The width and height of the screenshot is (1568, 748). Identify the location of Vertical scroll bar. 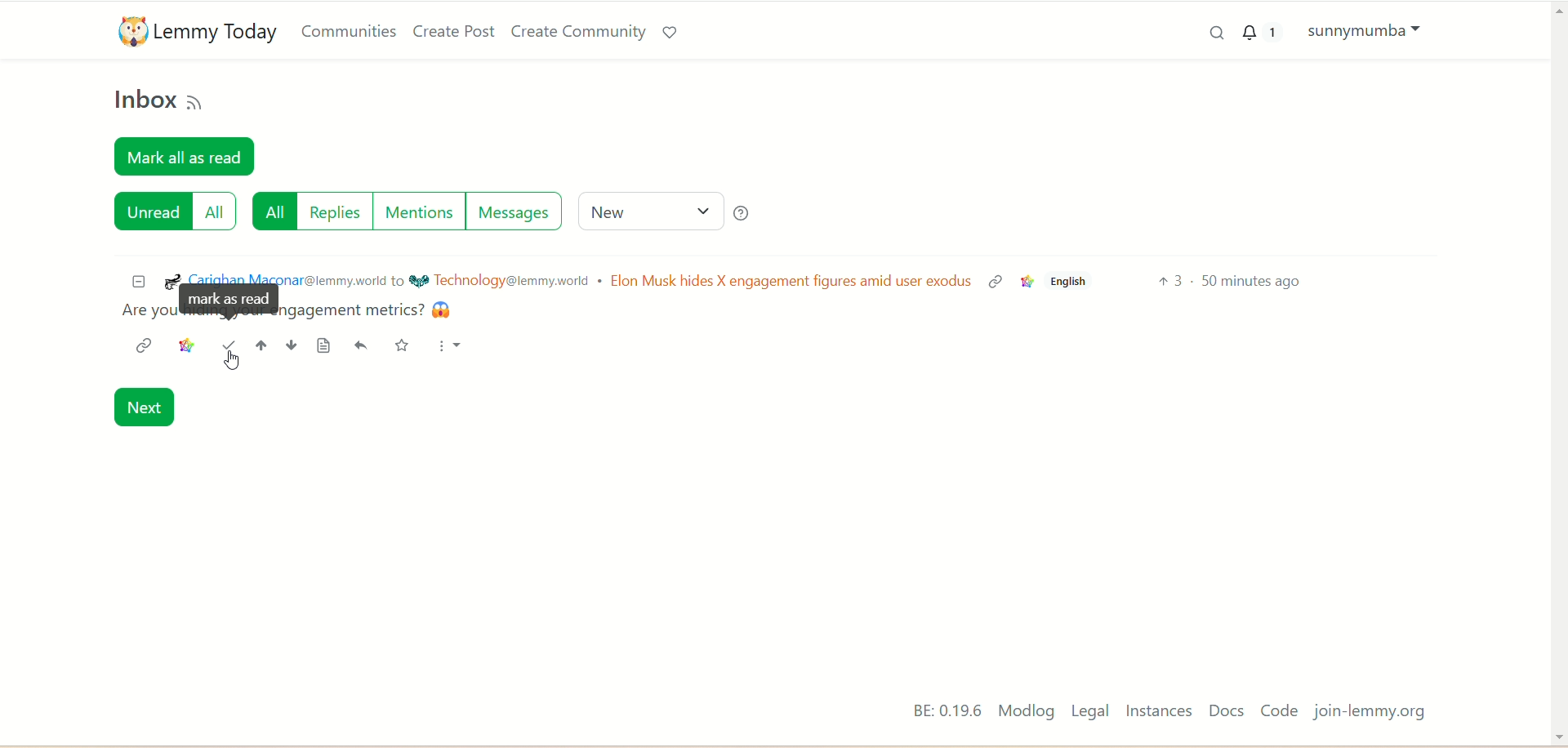
(1552, 358).